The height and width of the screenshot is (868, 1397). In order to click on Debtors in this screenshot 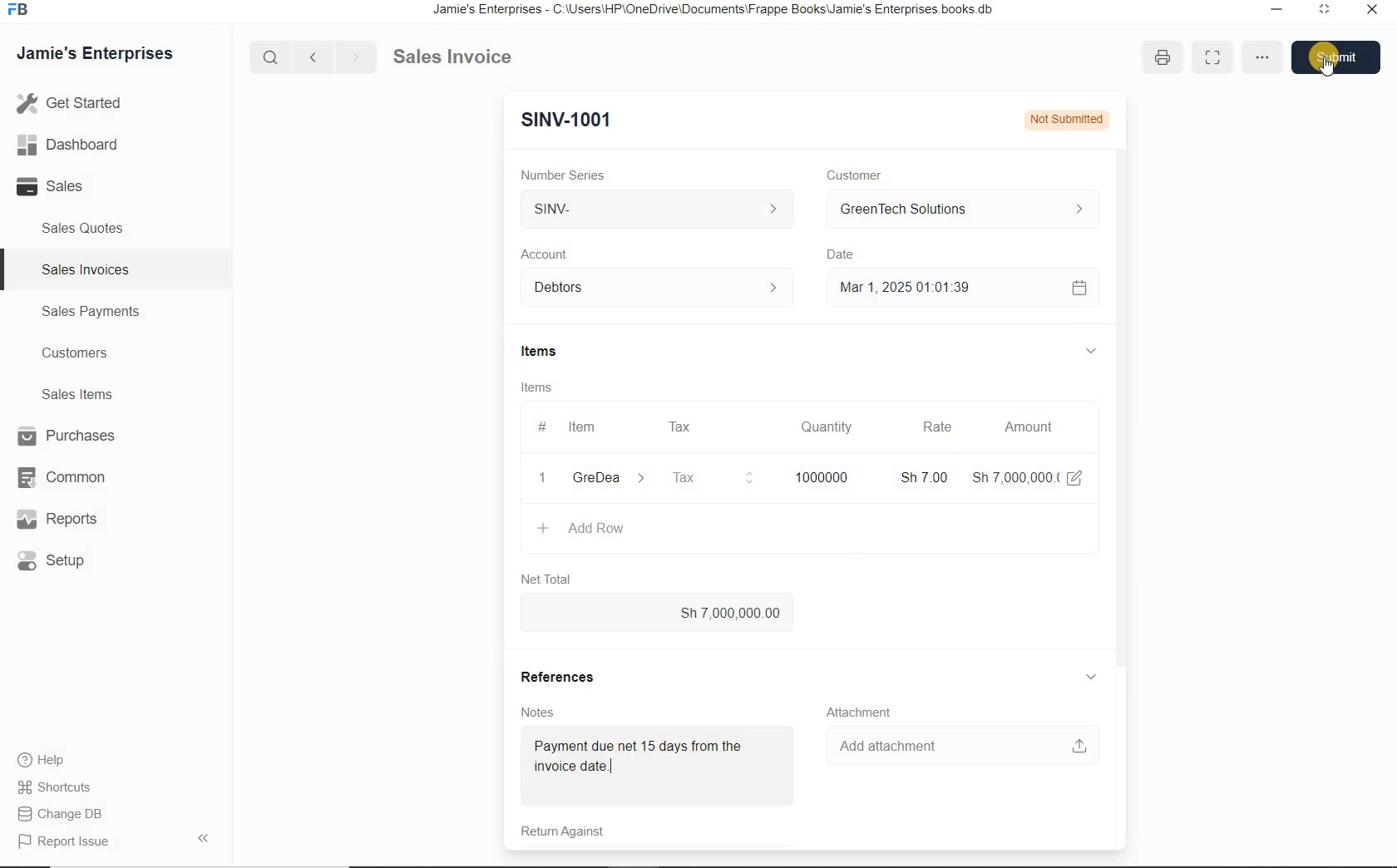, I will do `click(649, 288)`.